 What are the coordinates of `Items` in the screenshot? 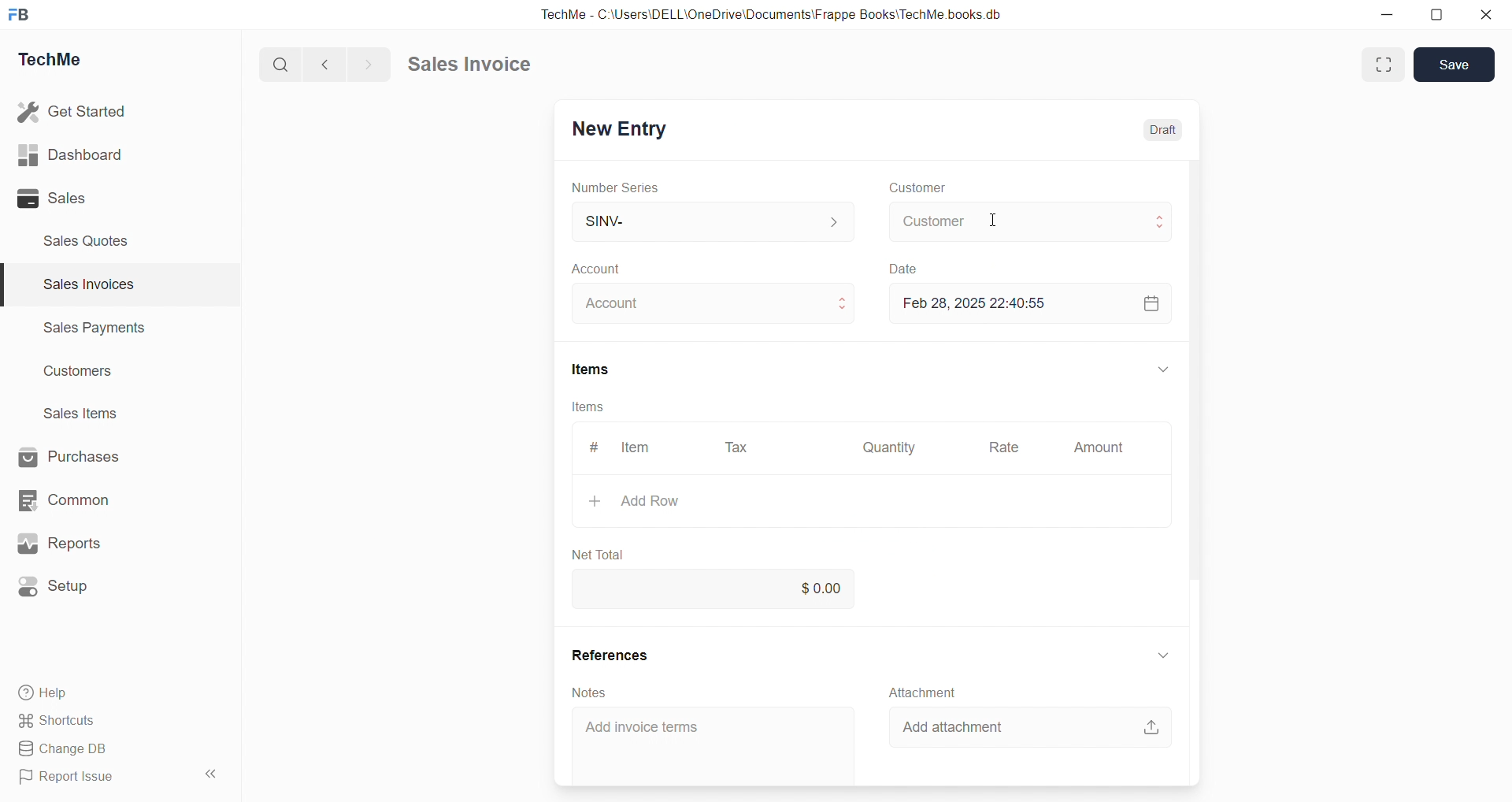 It's located at (587, 407).